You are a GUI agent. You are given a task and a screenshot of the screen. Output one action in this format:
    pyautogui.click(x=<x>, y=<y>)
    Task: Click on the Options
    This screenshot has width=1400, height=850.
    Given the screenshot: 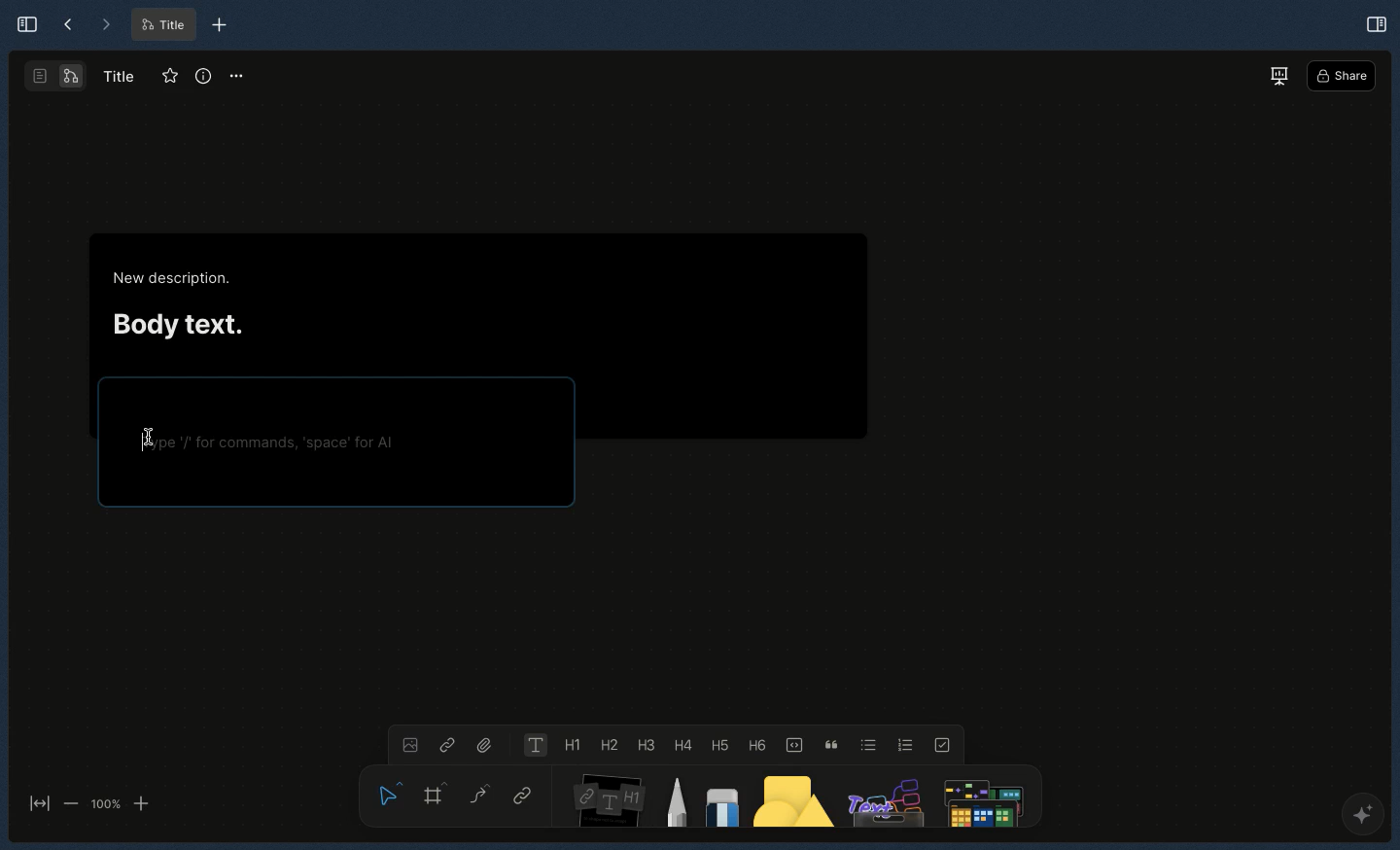 What is the action you would take?
    pyautogui.click(x=237, y=75)
    